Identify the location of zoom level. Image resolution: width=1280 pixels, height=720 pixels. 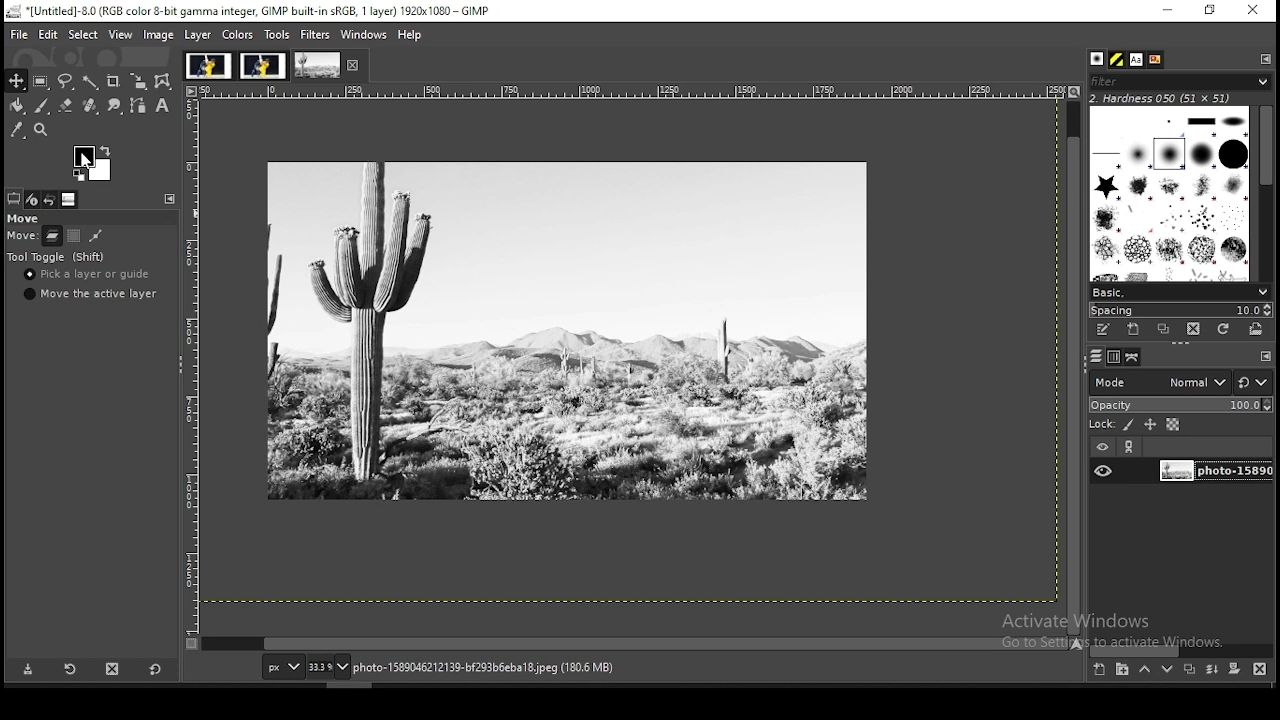
(329, 666).